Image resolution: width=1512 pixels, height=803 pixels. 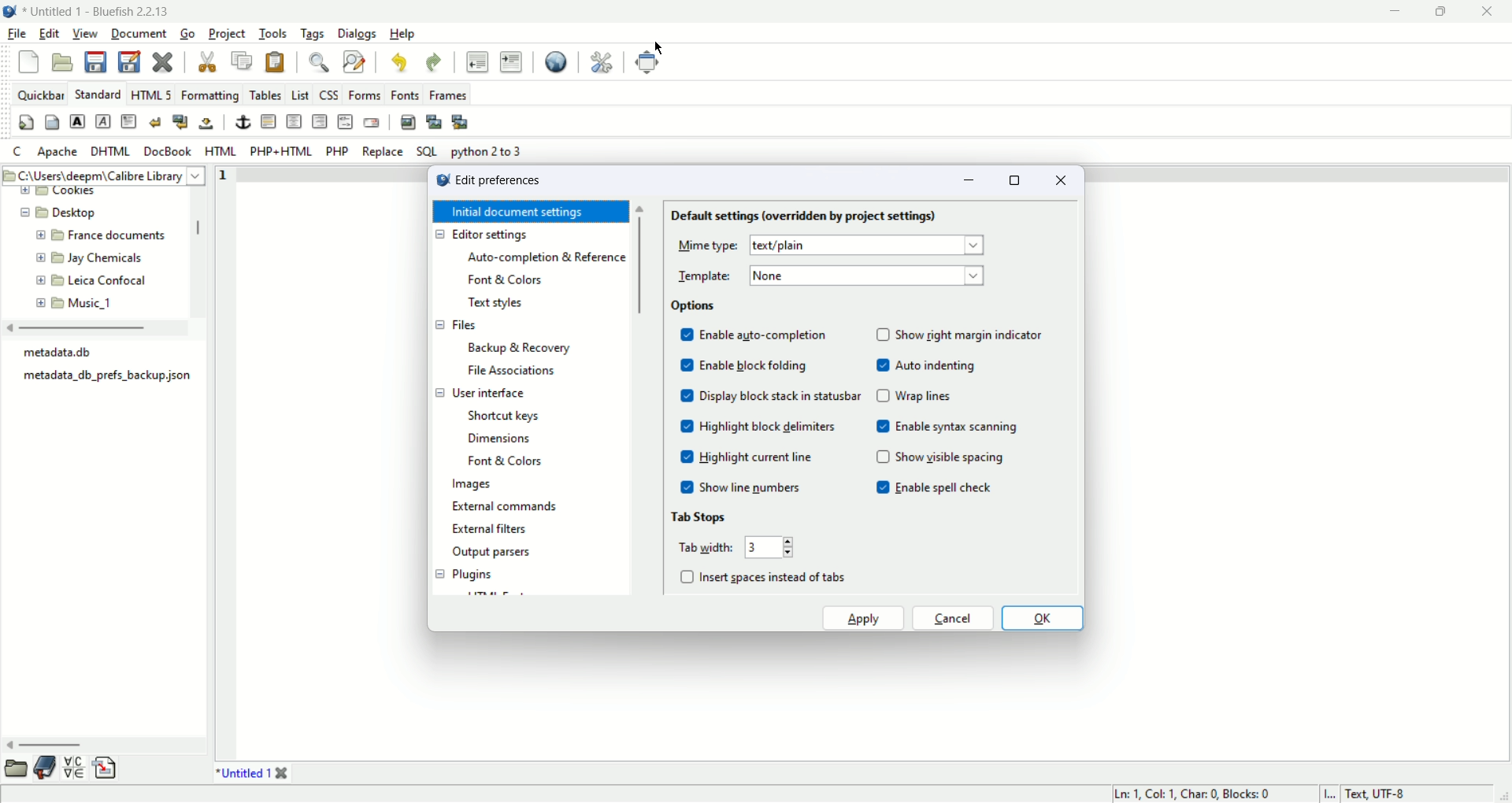 What do you see at coordinates (69, 353) in the screenshot?
I see `metadata.db` at bounding box center [69, 353].